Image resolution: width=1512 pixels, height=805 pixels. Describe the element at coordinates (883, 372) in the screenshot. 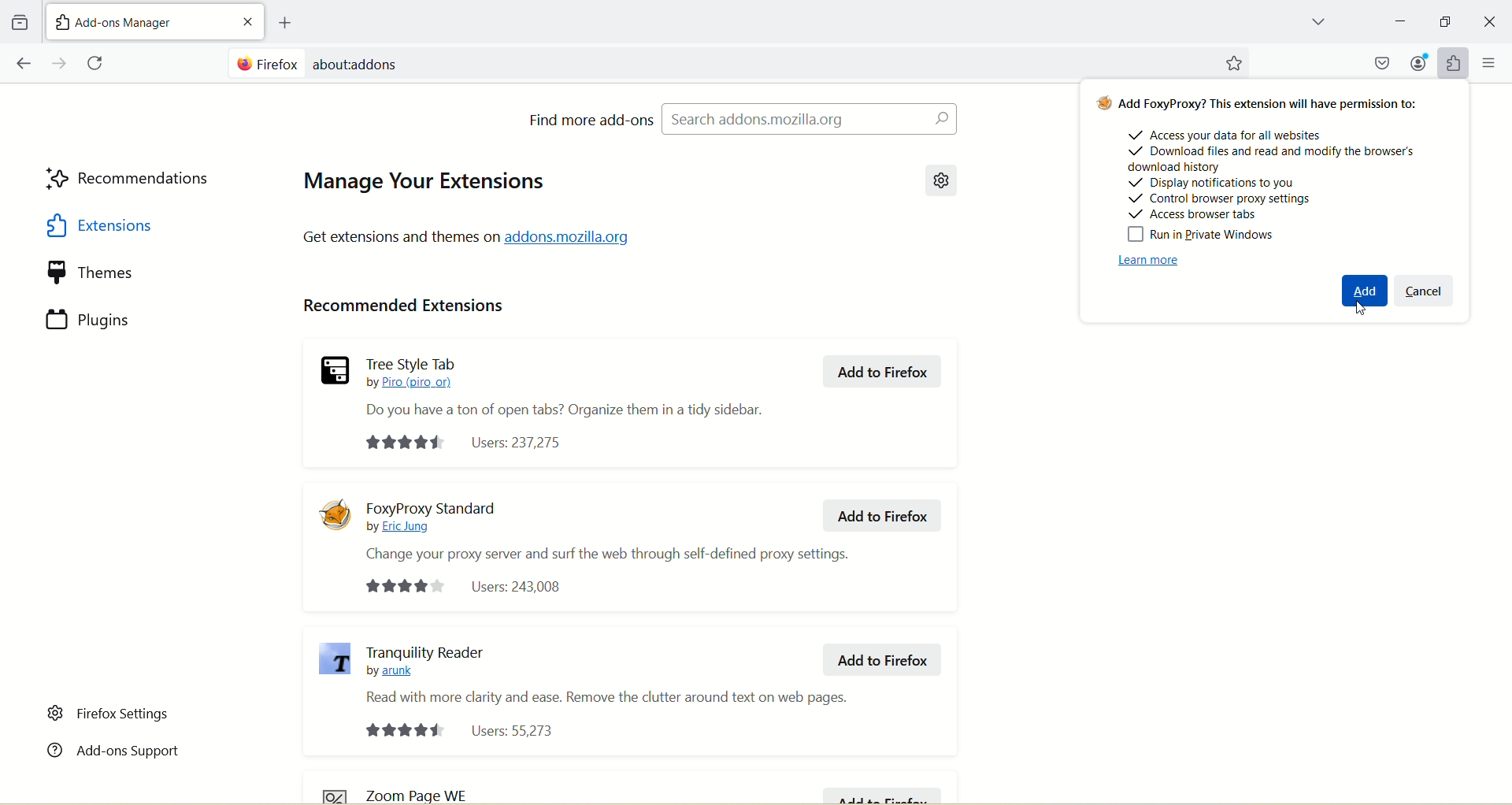

I see `Add to Firefox` at that location.